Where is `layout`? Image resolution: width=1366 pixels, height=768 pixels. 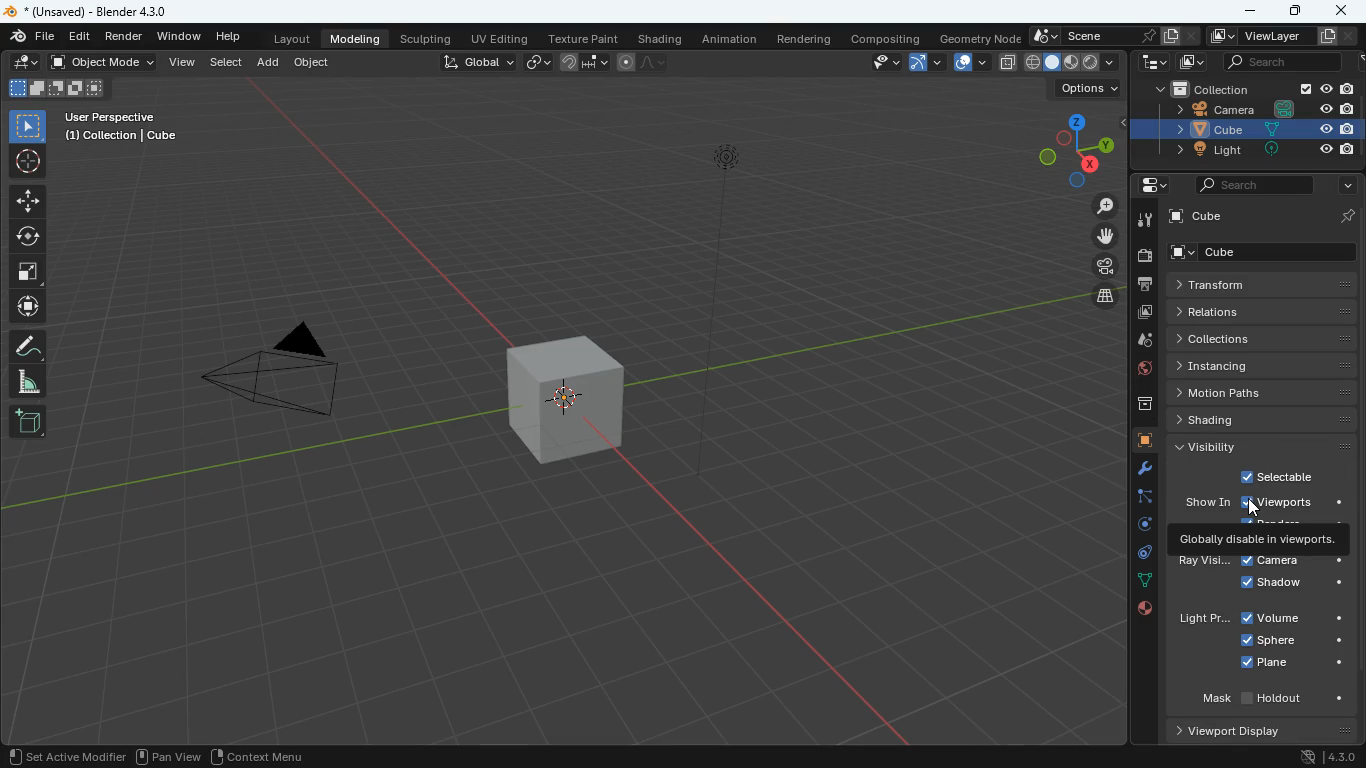
layout is located at coordinates (285, 38).